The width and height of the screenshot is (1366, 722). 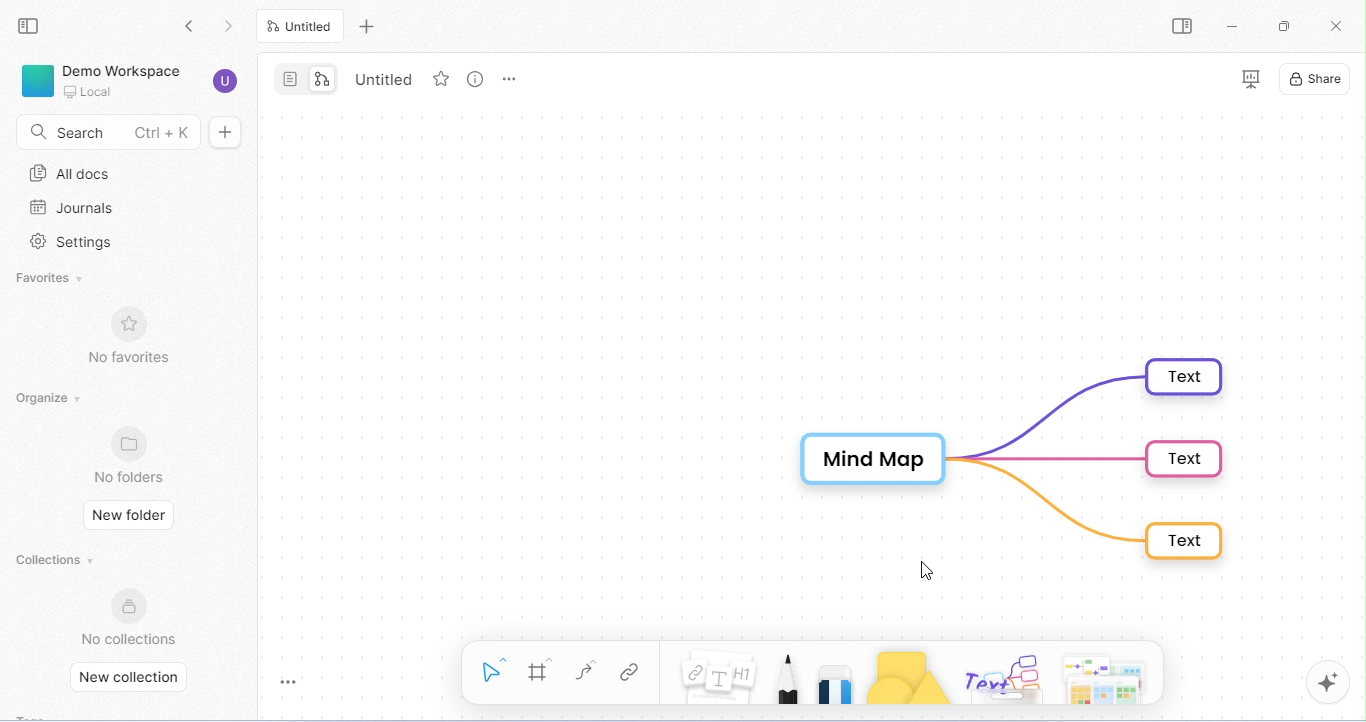 What do you see at coordinates (1015, 460) in the screenshot?
I see `Mind Map with texts in right layout` at bounding box center [1015, 460].